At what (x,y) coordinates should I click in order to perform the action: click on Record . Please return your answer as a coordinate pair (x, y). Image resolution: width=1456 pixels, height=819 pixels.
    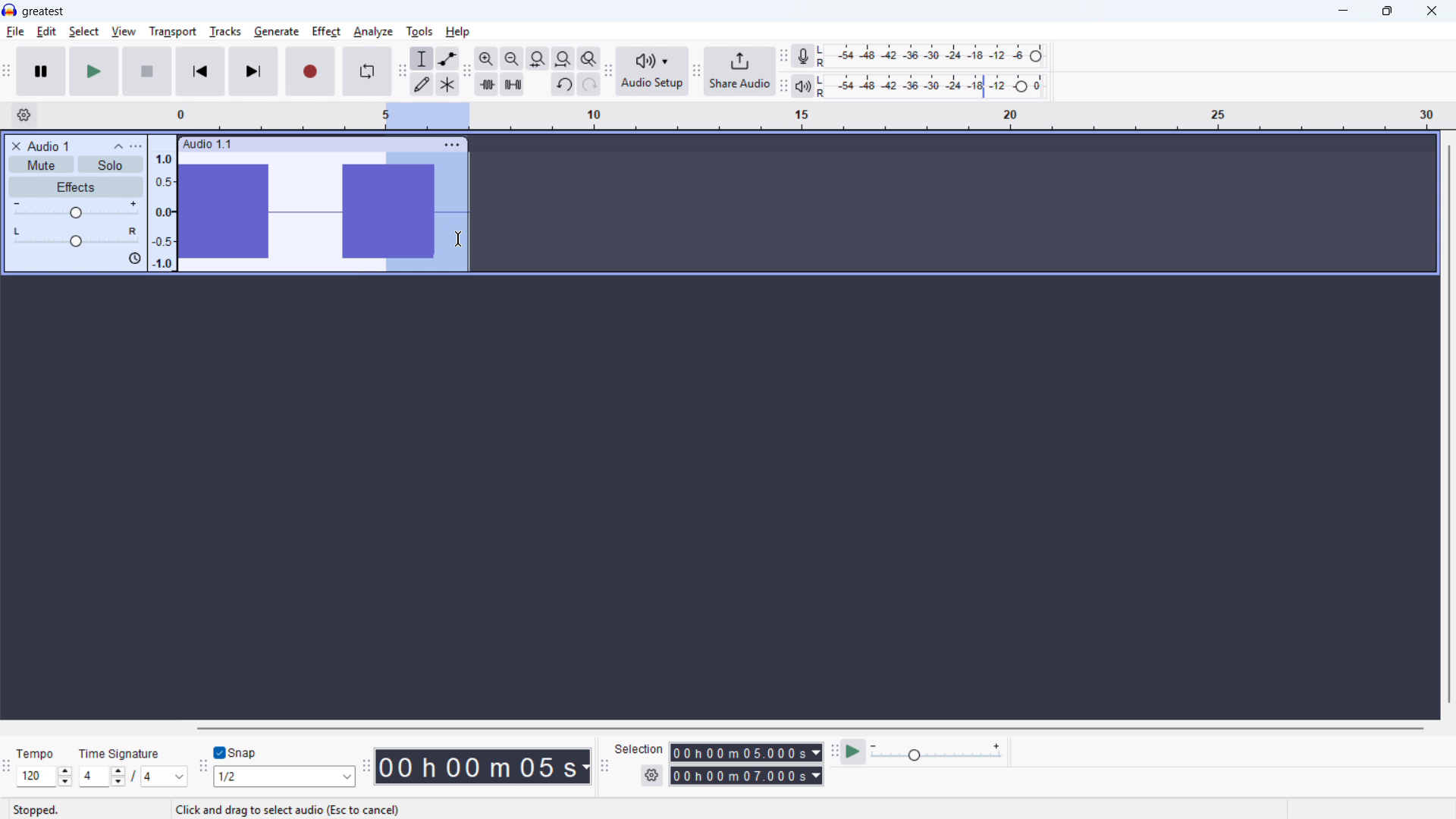
    Looking at the image, I should click on (310, 71).